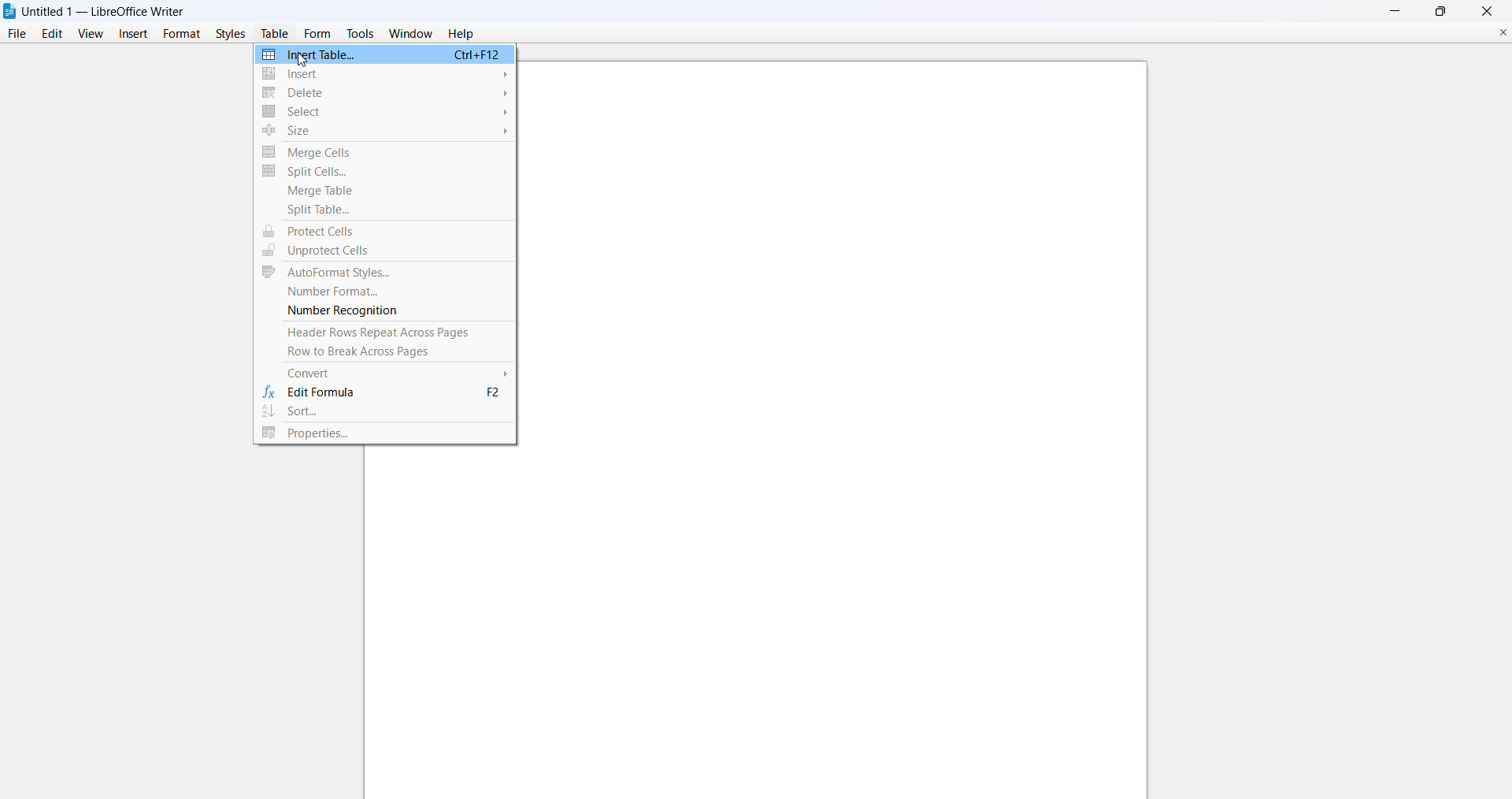 This screenshot has height=799, width=1512. I want to click on protect cells, so click(382, 232).